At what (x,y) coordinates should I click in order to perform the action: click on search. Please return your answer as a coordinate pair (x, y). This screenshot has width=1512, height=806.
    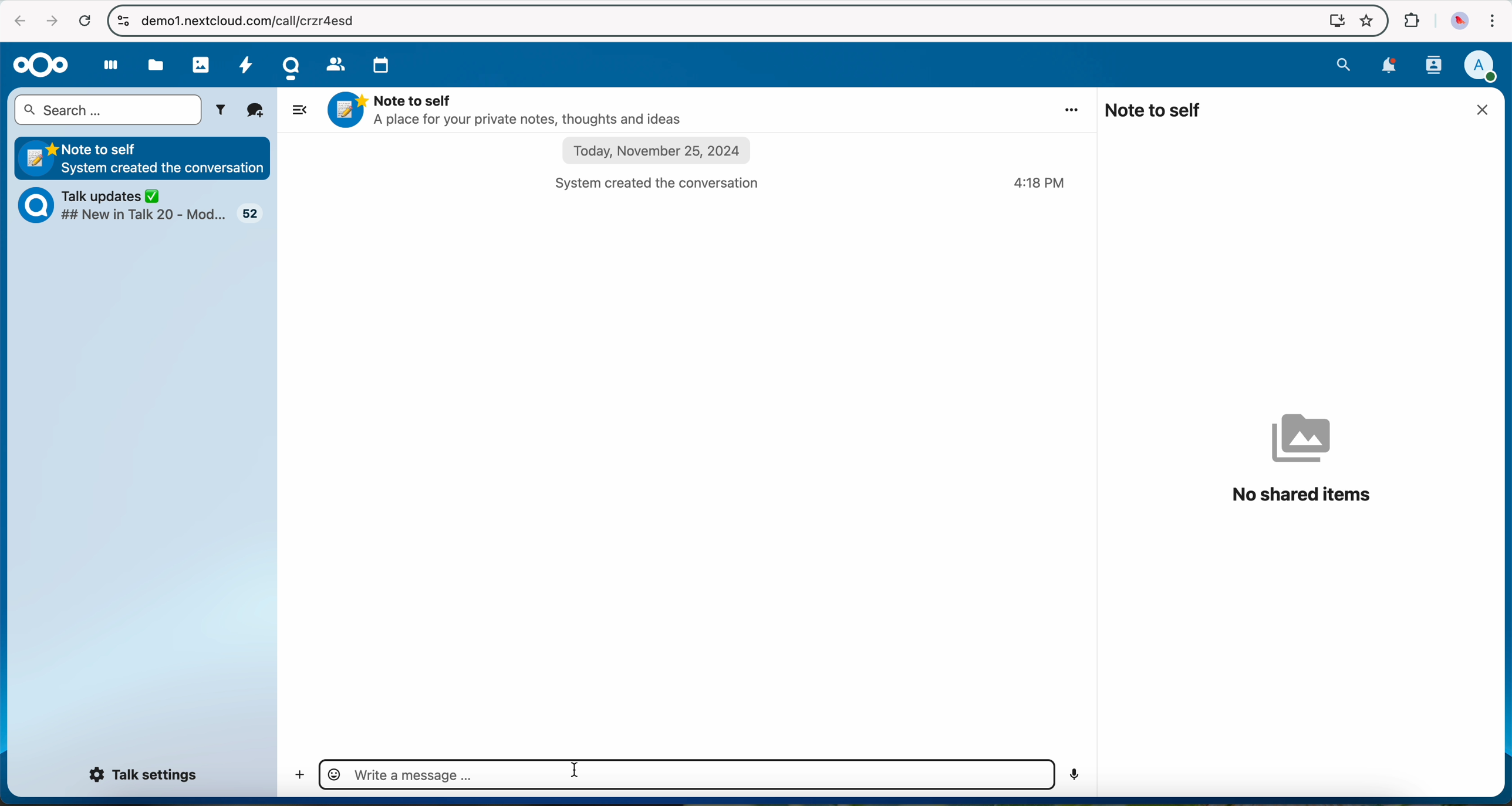
    Looking at the image, I should click on (1344, 65).